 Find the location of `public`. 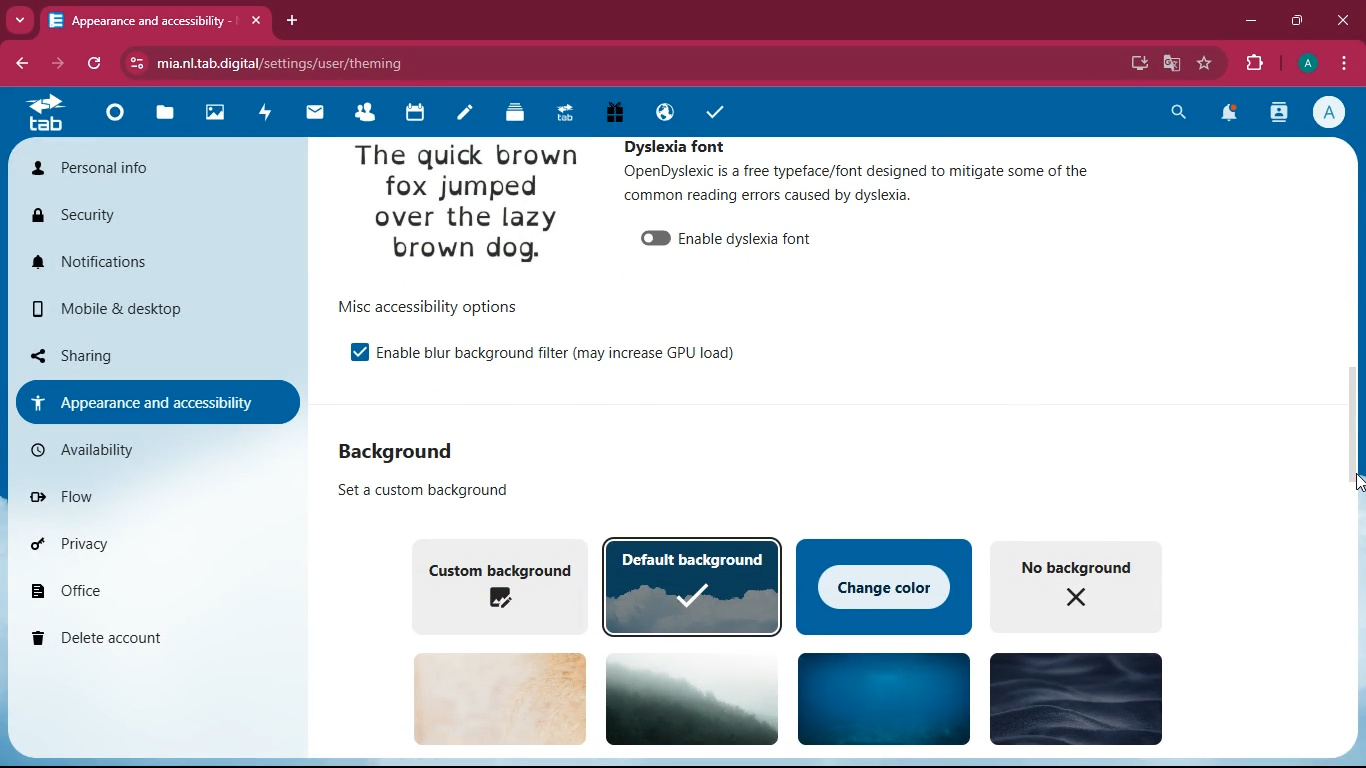

public is located at coordinates (661, 112).